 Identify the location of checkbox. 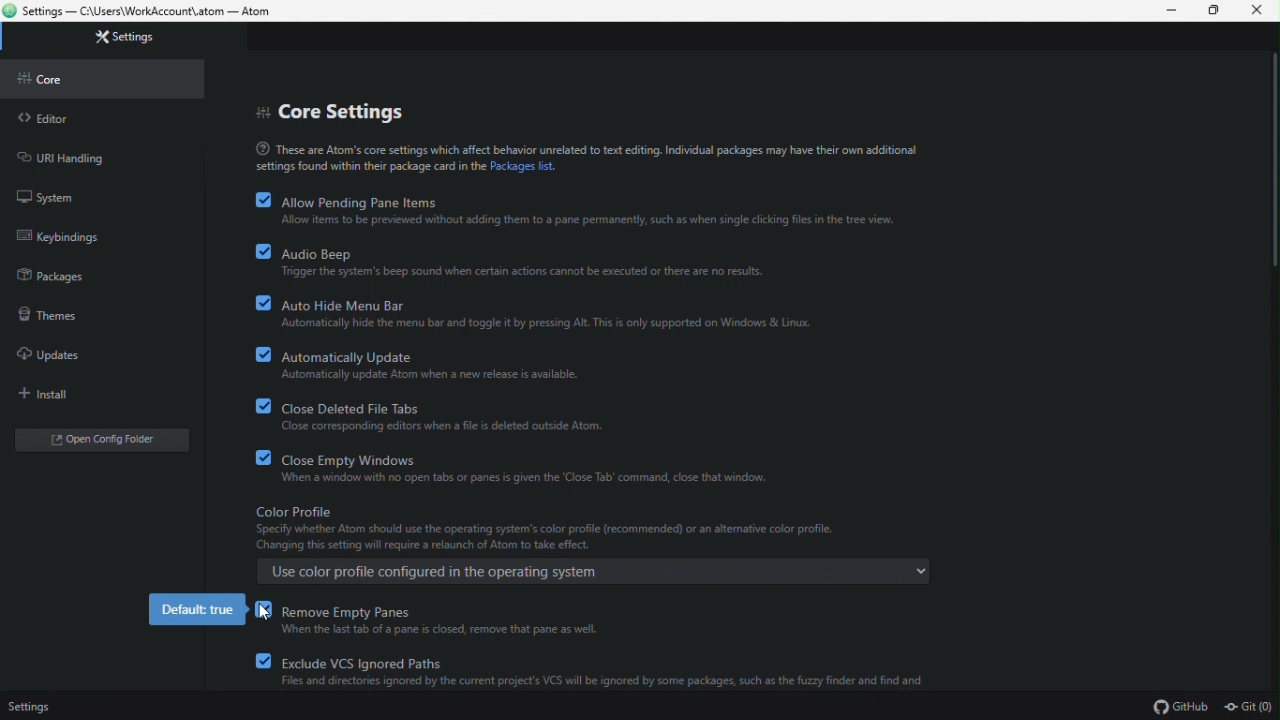
(256, 251).